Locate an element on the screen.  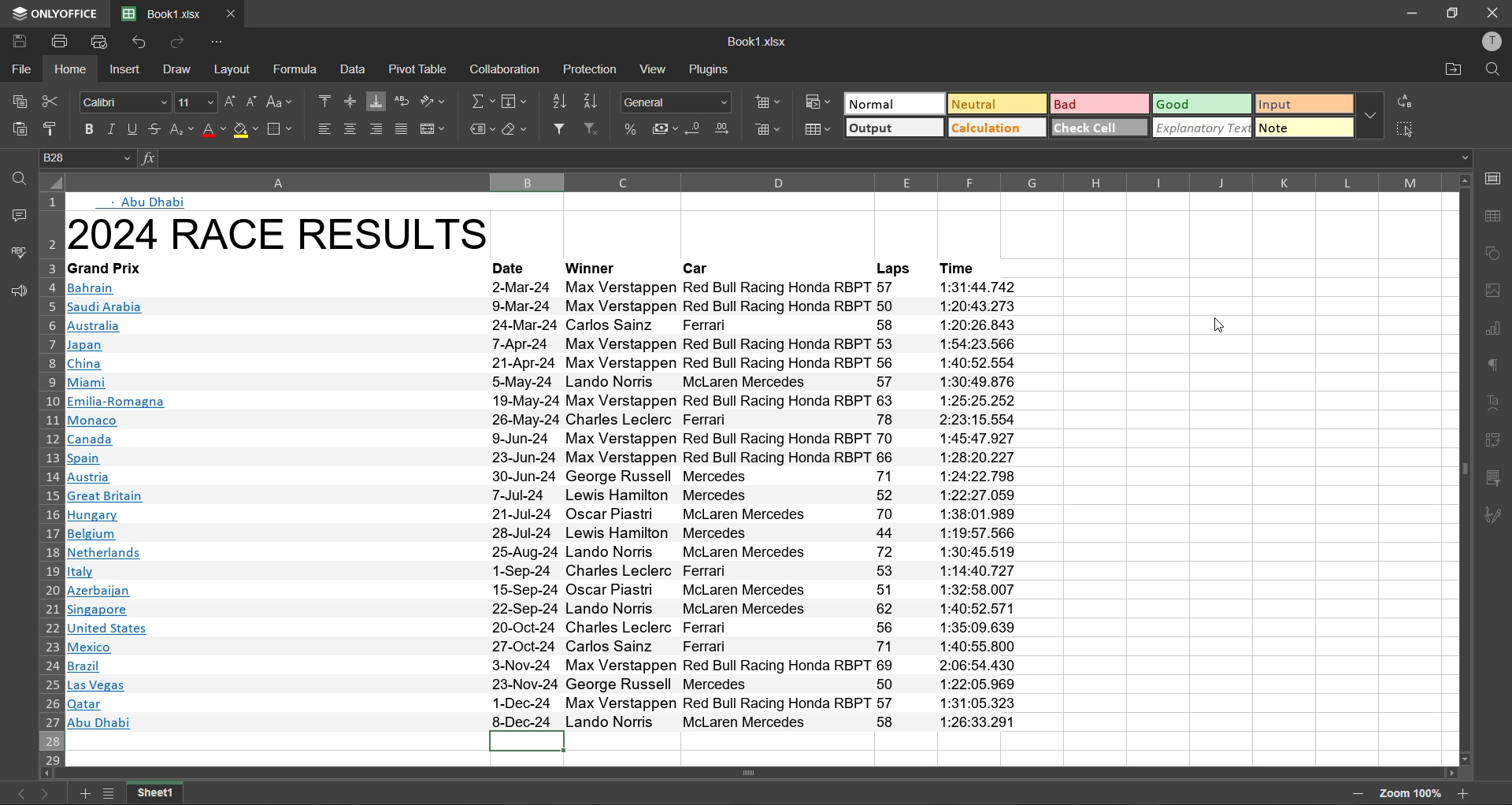
collaboration is located at coordinates (508, 68).